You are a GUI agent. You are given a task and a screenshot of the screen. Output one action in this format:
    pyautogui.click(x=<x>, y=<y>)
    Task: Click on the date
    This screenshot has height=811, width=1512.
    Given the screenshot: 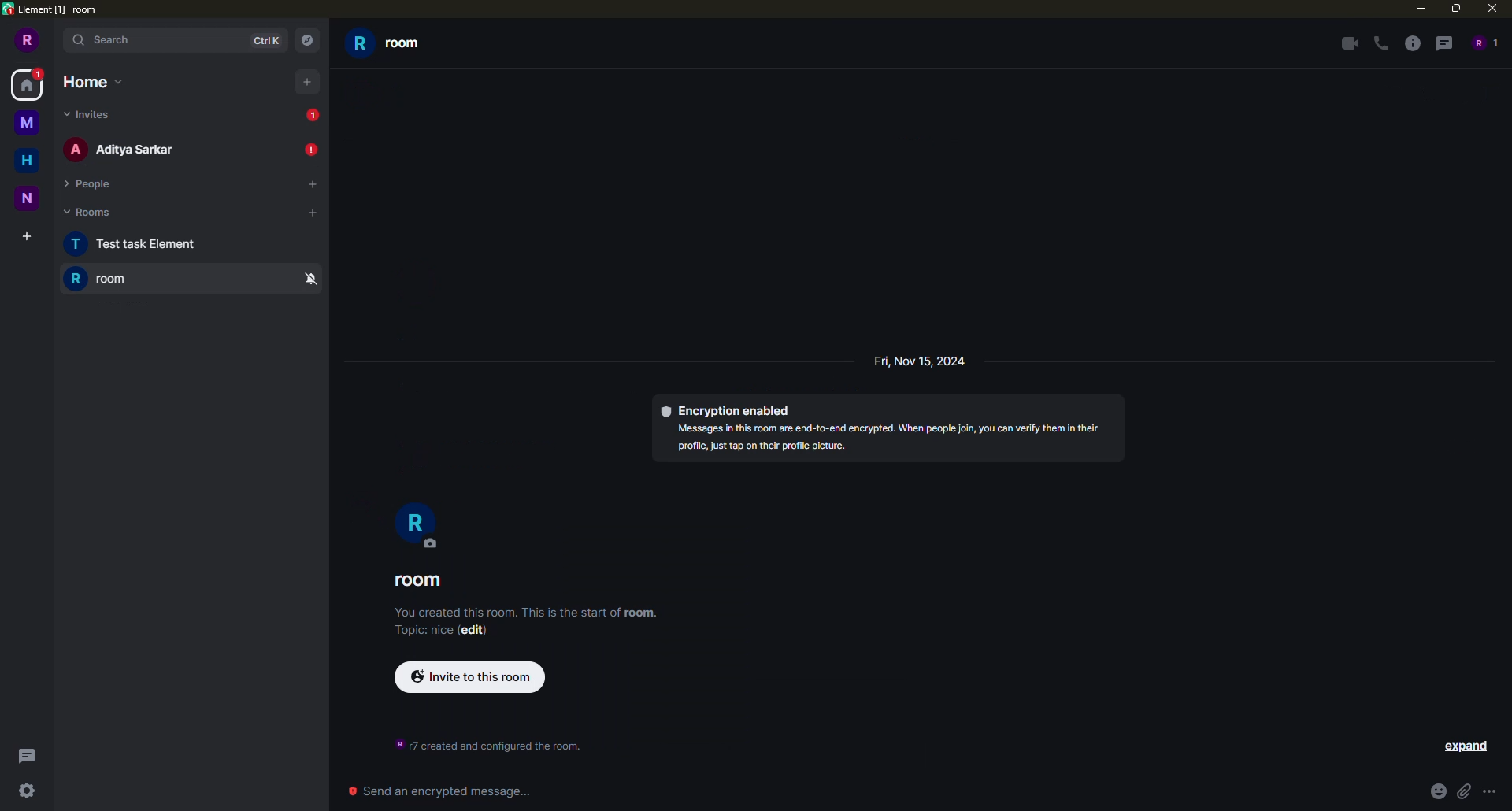 What is the action you would take?
    pyautogui.click(x=920, y=363)
    